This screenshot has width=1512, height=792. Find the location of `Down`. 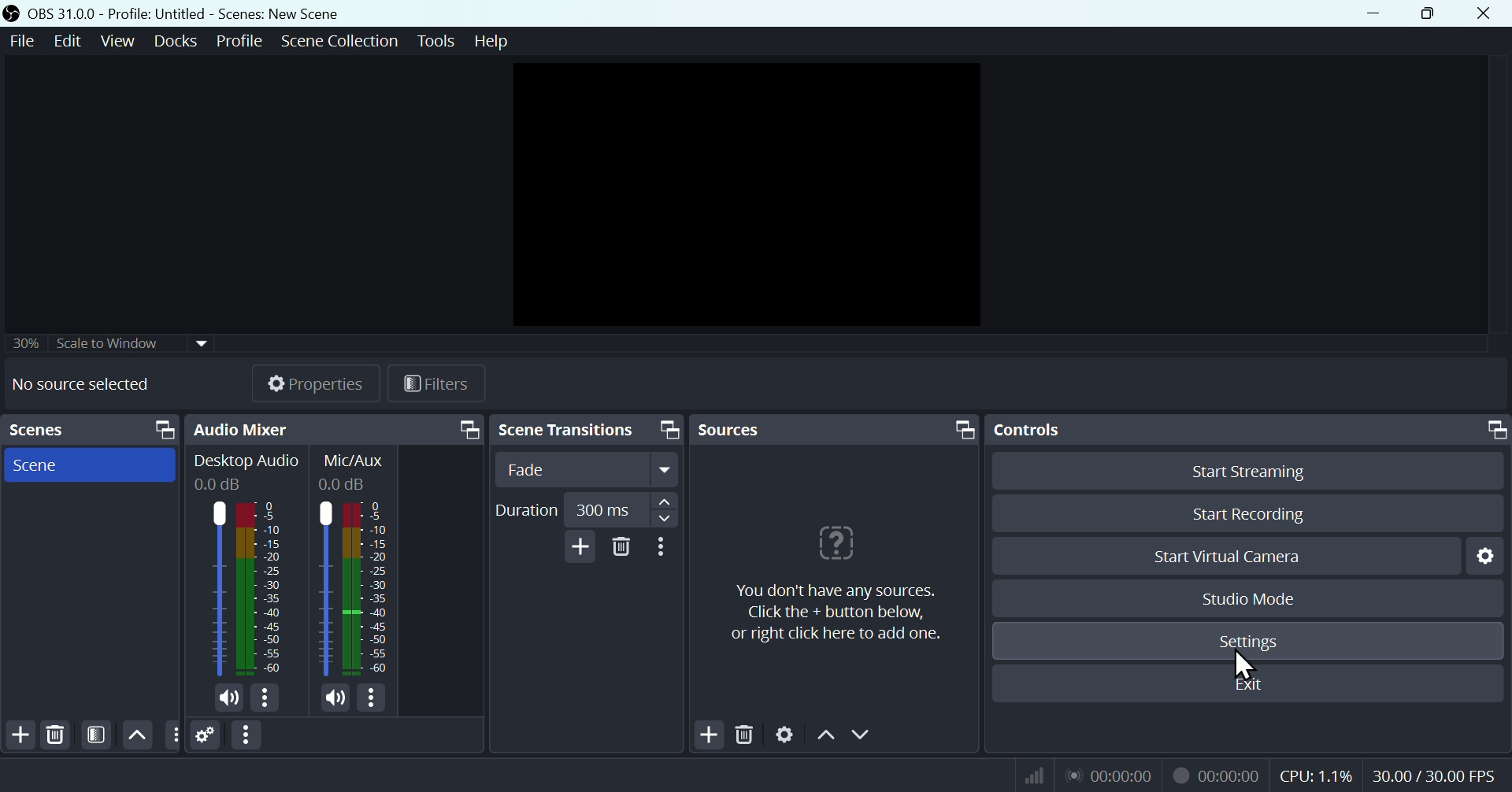

Down is located at coordinates (858, 734).